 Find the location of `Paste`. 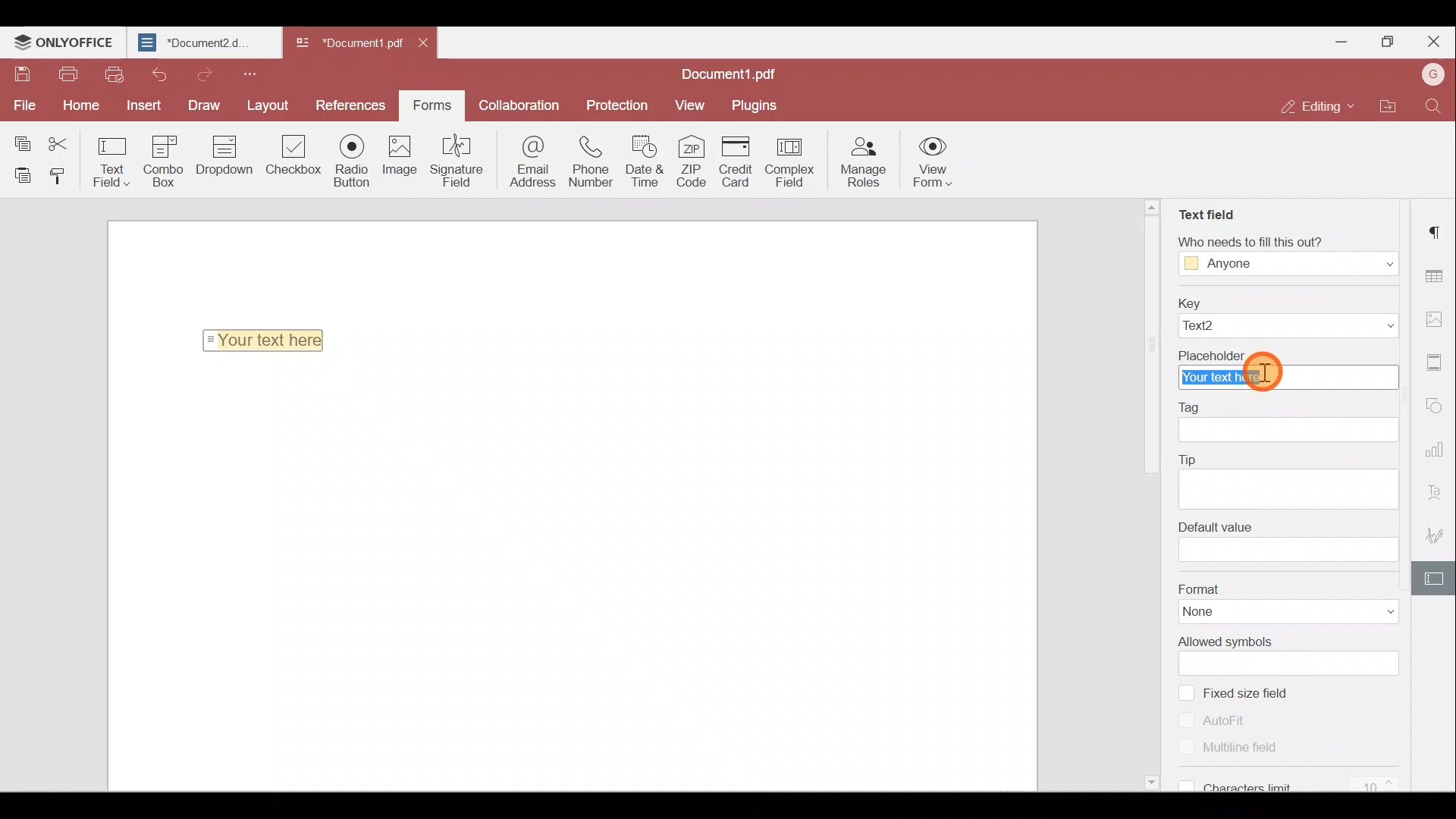

Paste is located at coordinates (19, 174).